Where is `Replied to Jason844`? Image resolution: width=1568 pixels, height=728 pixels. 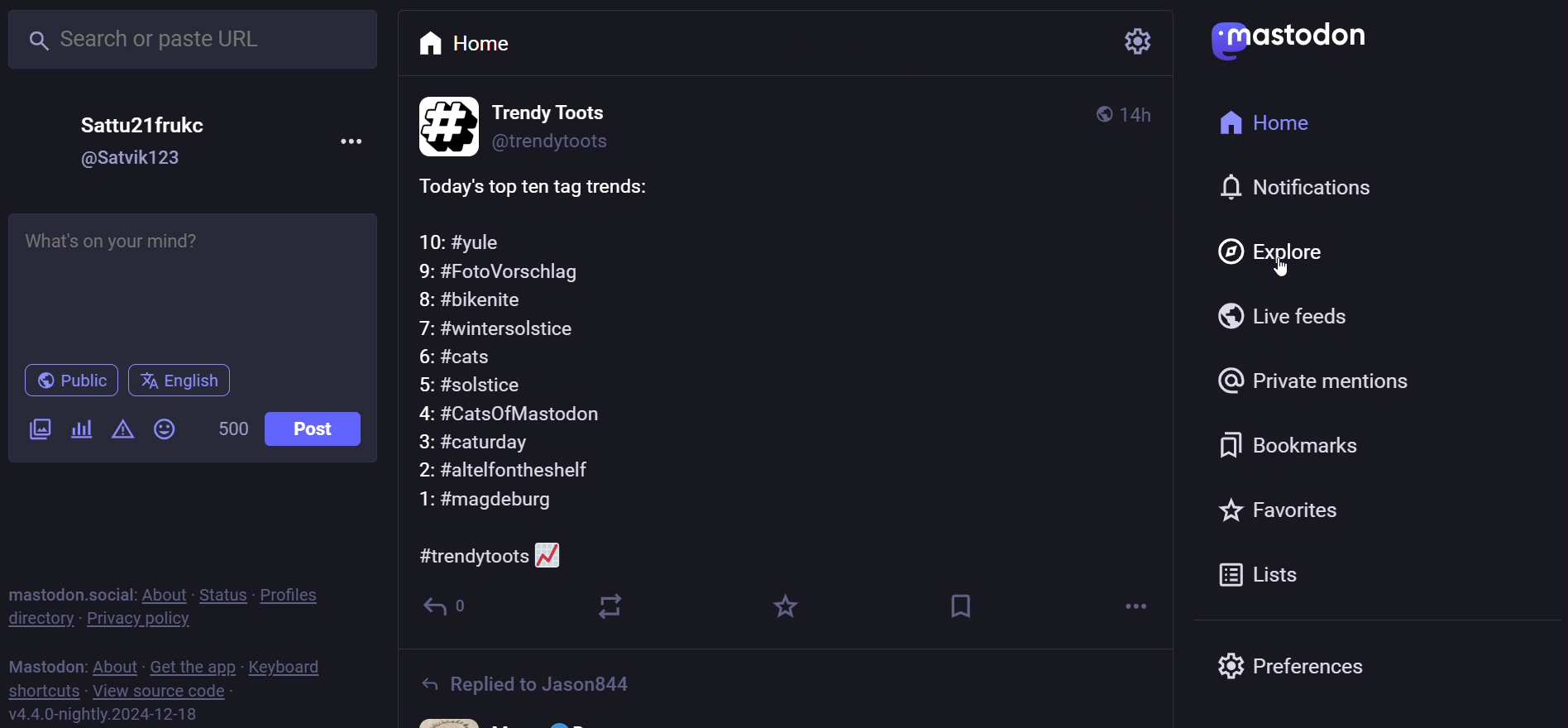
Replied to Jason844 is located at coordinates (550, 678).